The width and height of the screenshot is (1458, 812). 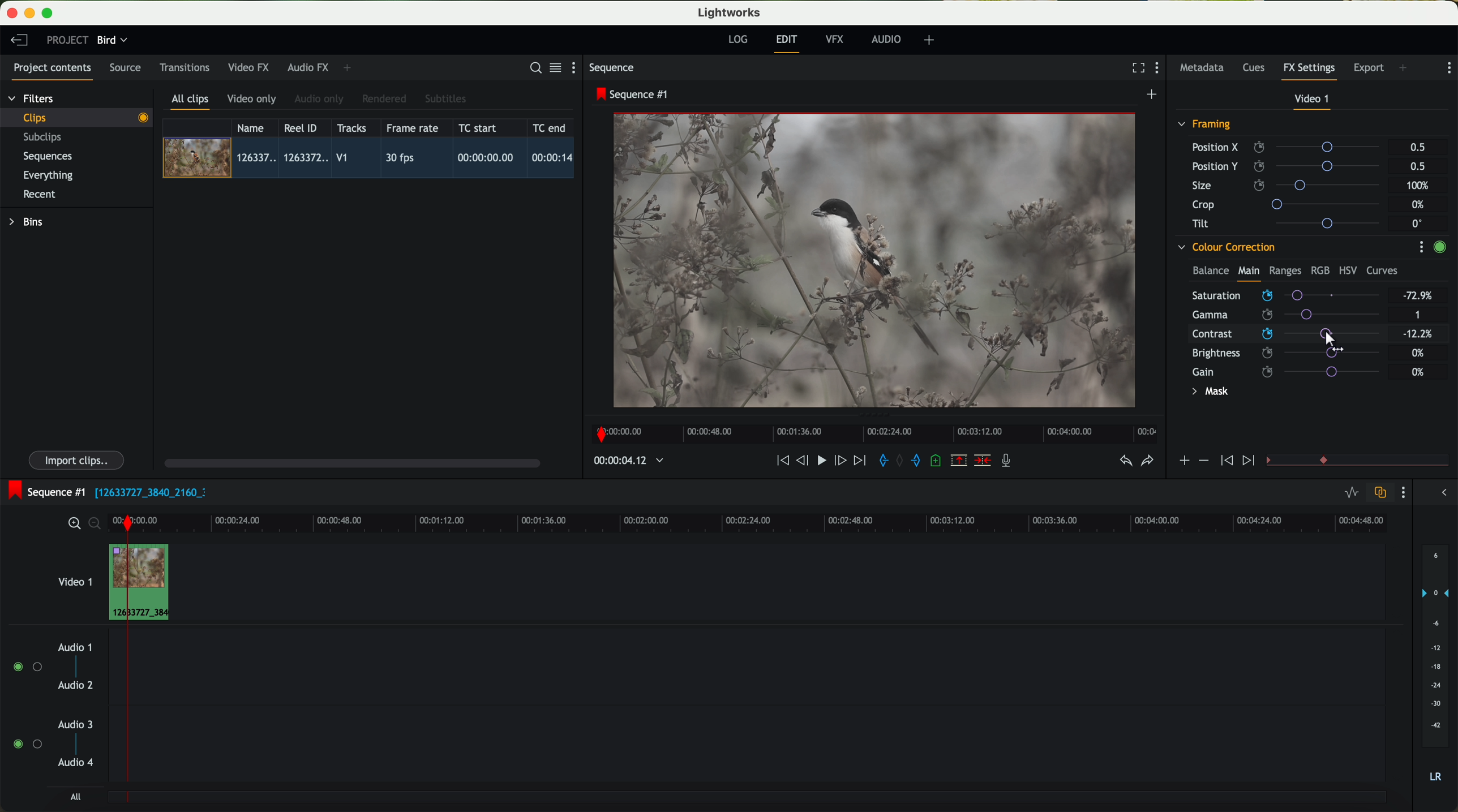 I want to click on tilt, so click(x=1291, y=223).